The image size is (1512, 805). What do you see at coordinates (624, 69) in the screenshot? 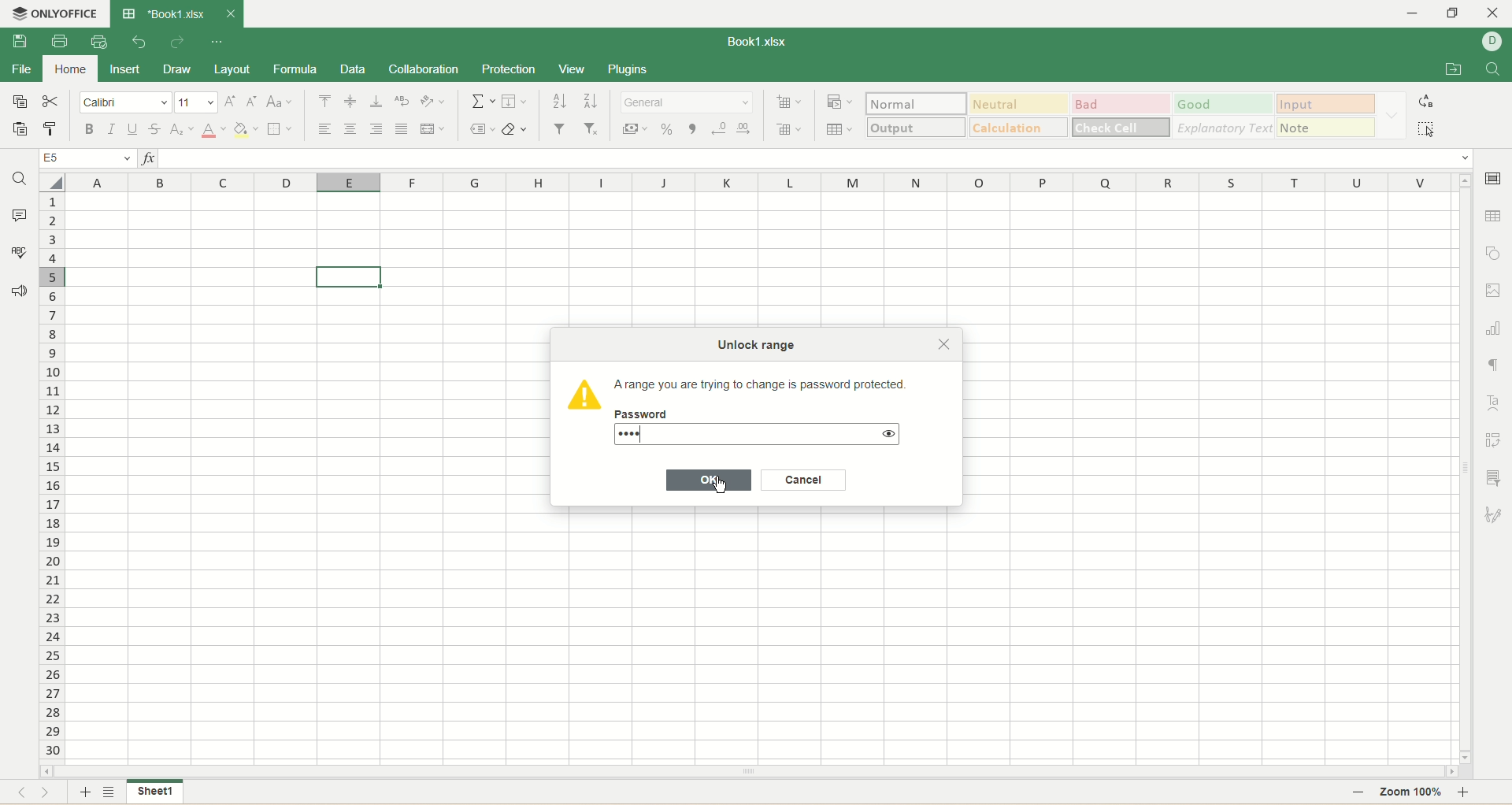
I see `plugins` at bounding box center [624, 69].